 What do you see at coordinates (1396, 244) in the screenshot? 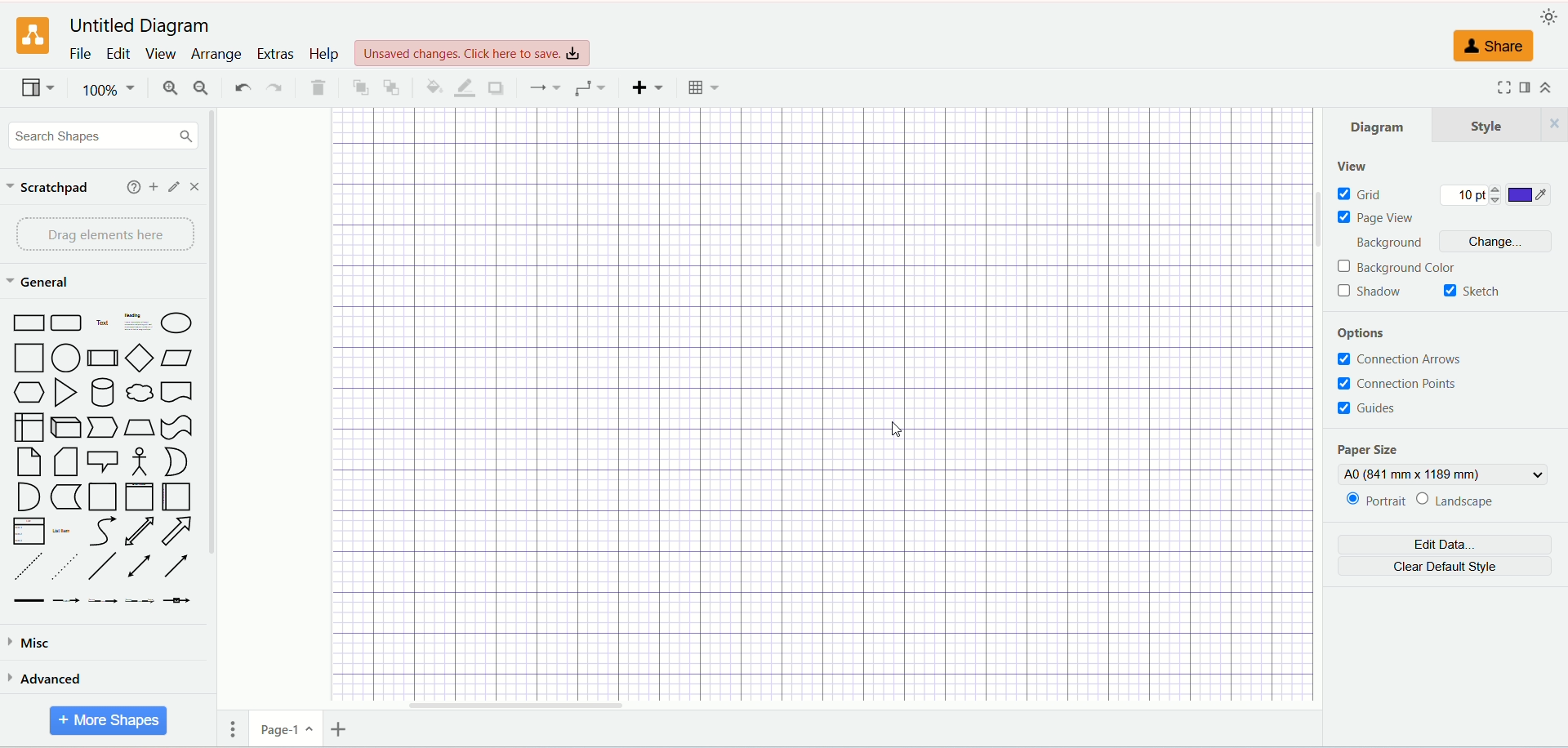
I see `background` at bounding box center [1396, 244].